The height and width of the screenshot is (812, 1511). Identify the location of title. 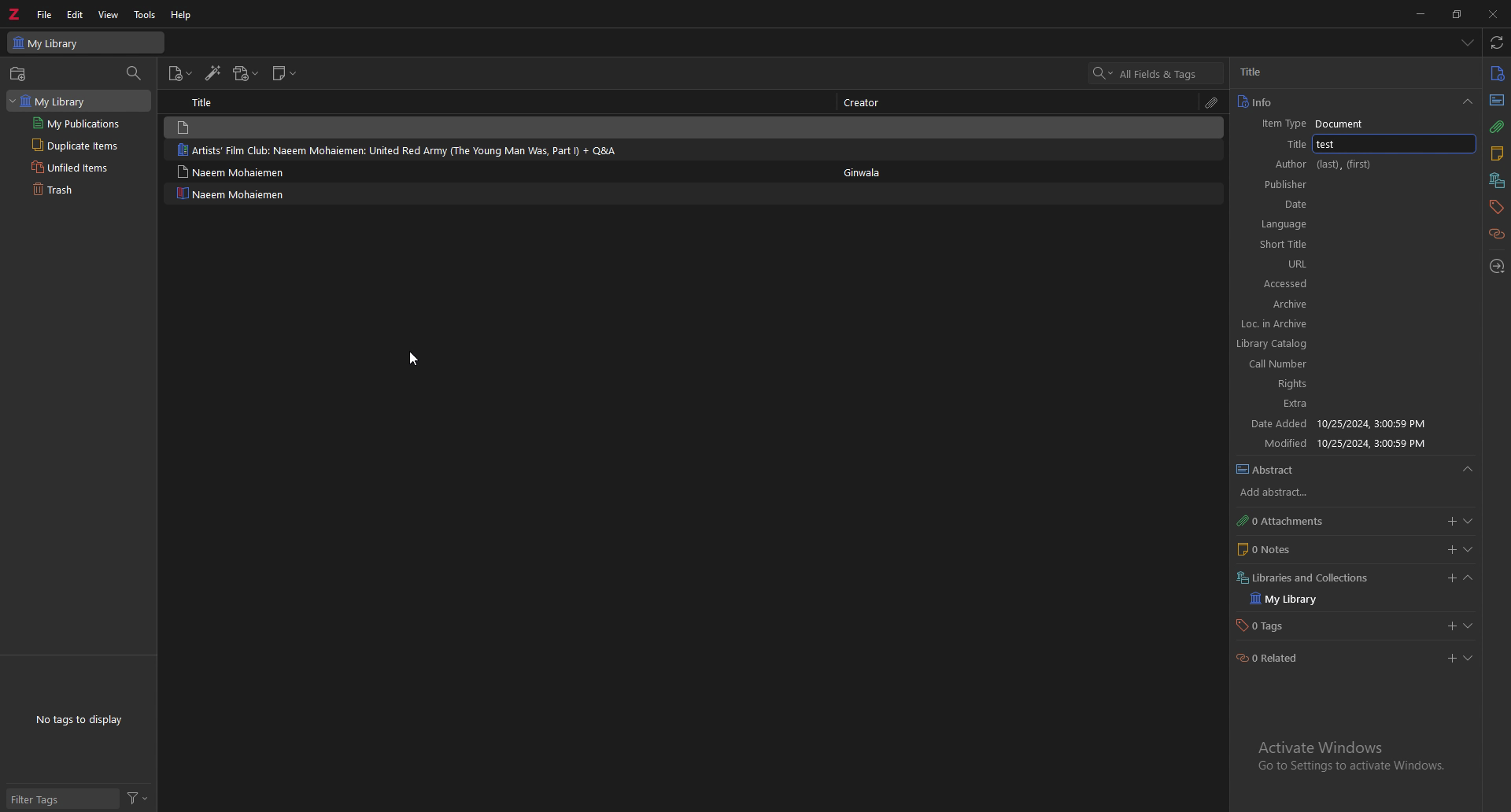
(1358, 142).